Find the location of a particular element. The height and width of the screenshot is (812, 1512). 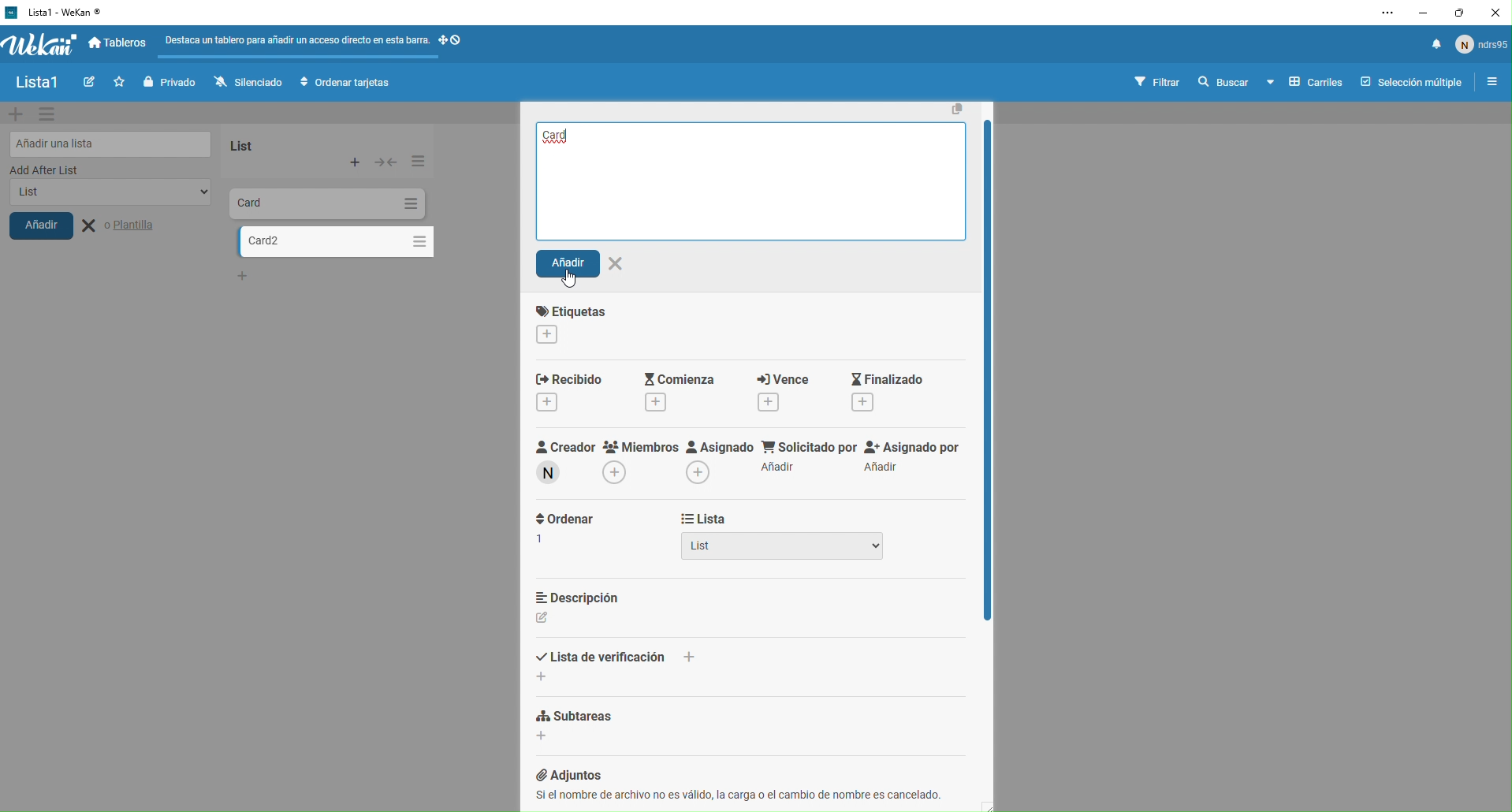

Options is located at coordinates (409, 203).